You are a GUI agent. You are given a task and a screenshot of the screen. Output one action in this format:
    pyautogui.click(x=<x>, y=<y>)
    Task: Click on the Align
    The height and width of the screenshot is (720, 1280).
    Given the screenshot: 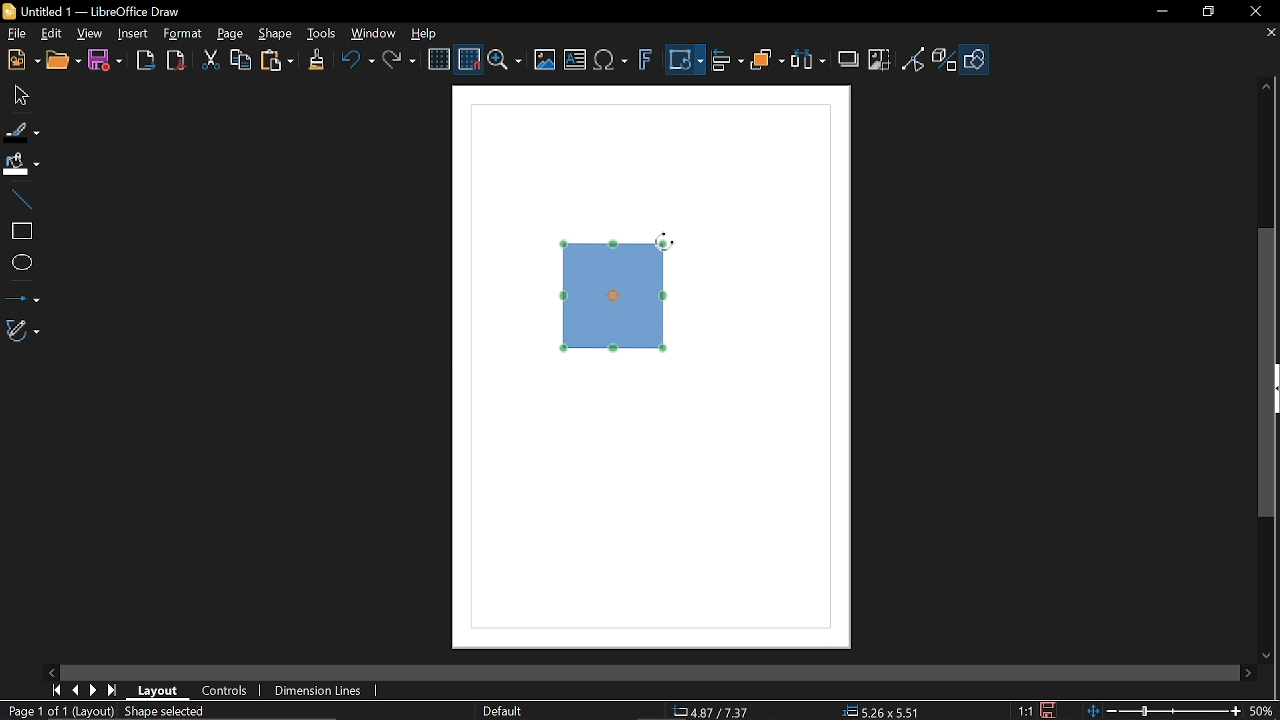 What is the action you would take?
    pyautogui.click(x=727, y=60)
    